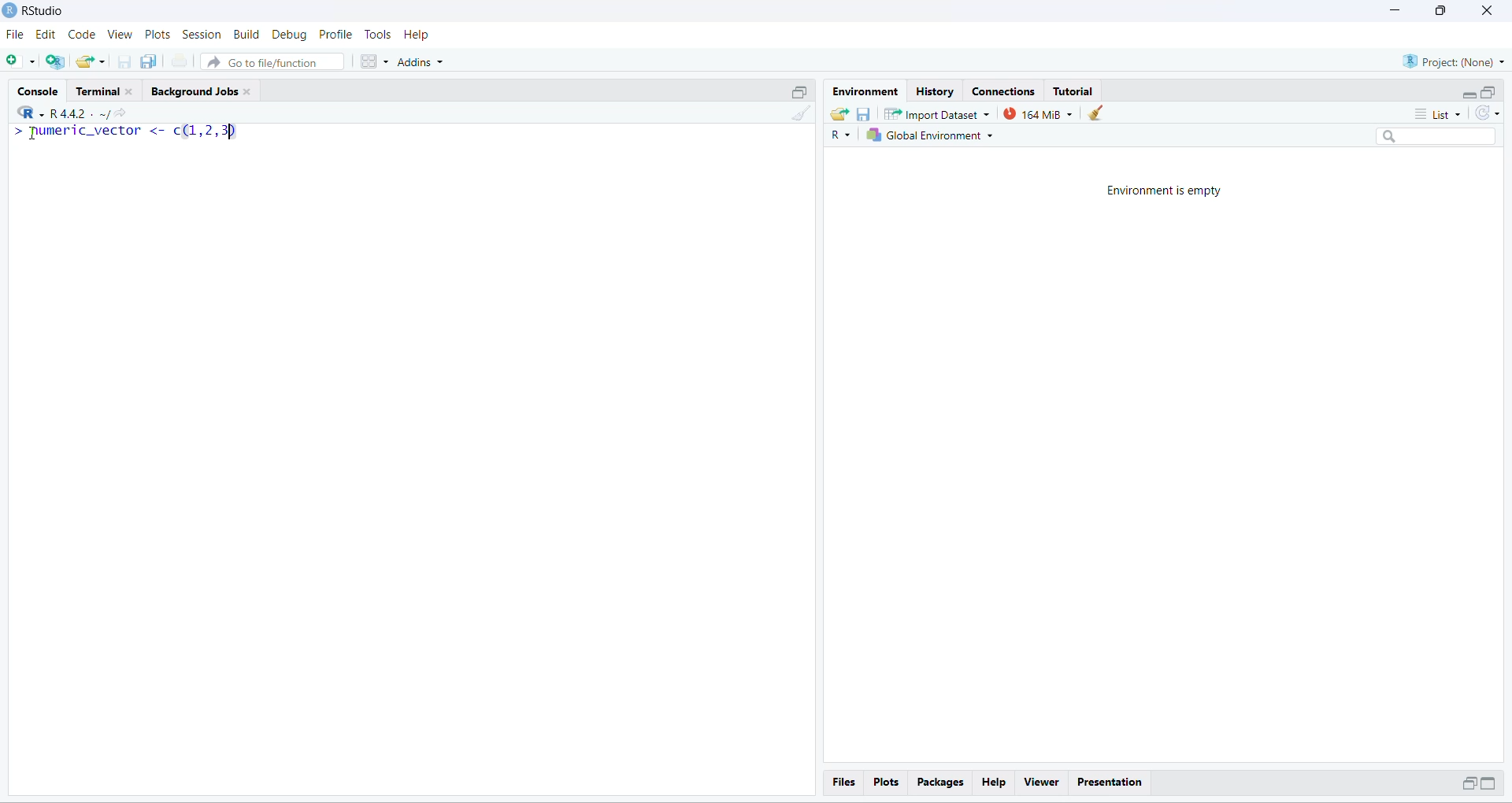 This screenshot has height=803, width=1512. What do you see at coordinates (17, 59) in the screenshot?
I see `new file` at bounding box center [17, 59].